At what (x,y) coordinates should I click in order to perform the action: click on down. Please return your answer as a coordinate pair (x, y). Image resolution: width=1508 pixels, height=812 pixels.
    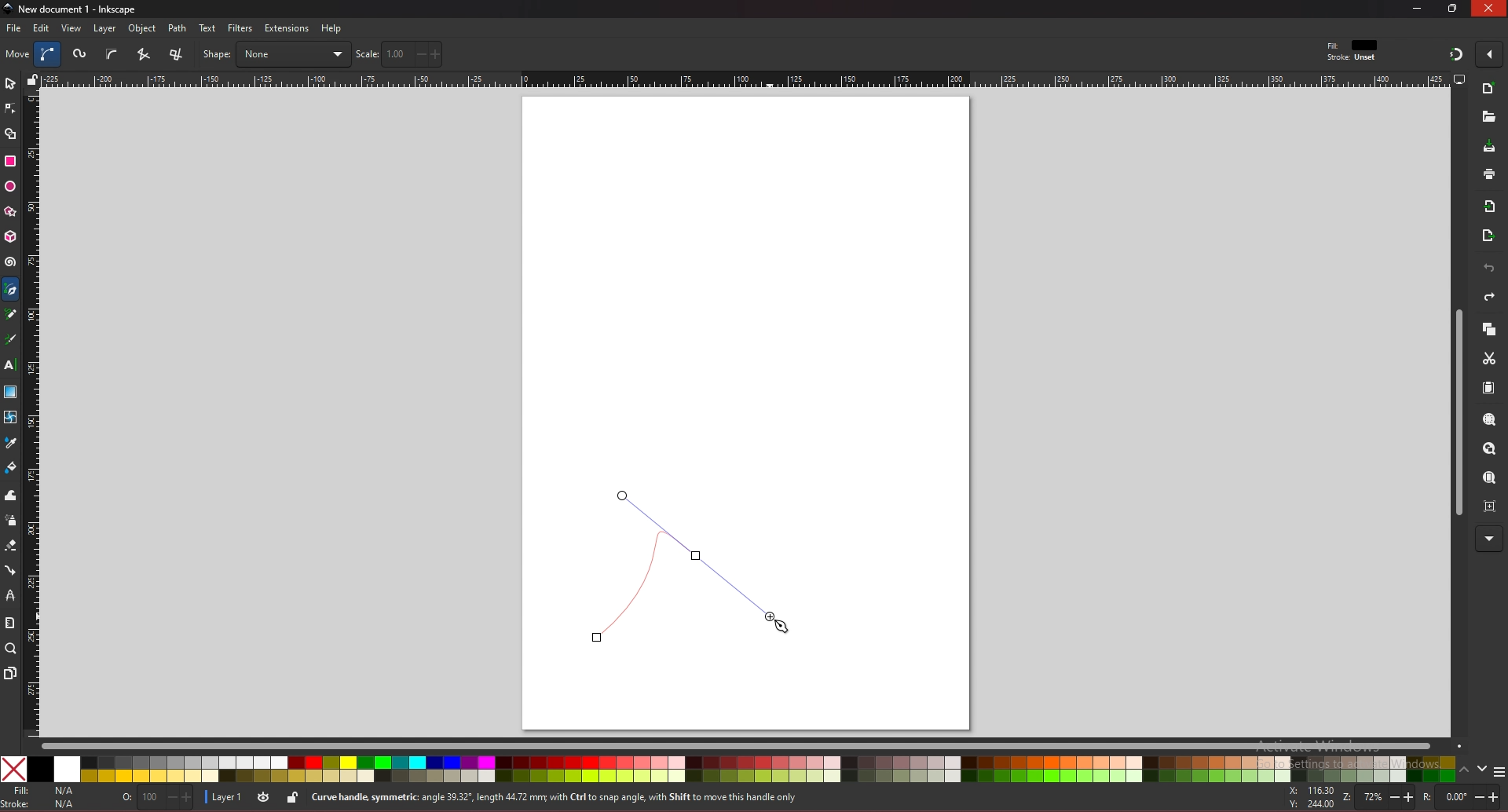
    Looking at the image, I should click on (1483, 769).